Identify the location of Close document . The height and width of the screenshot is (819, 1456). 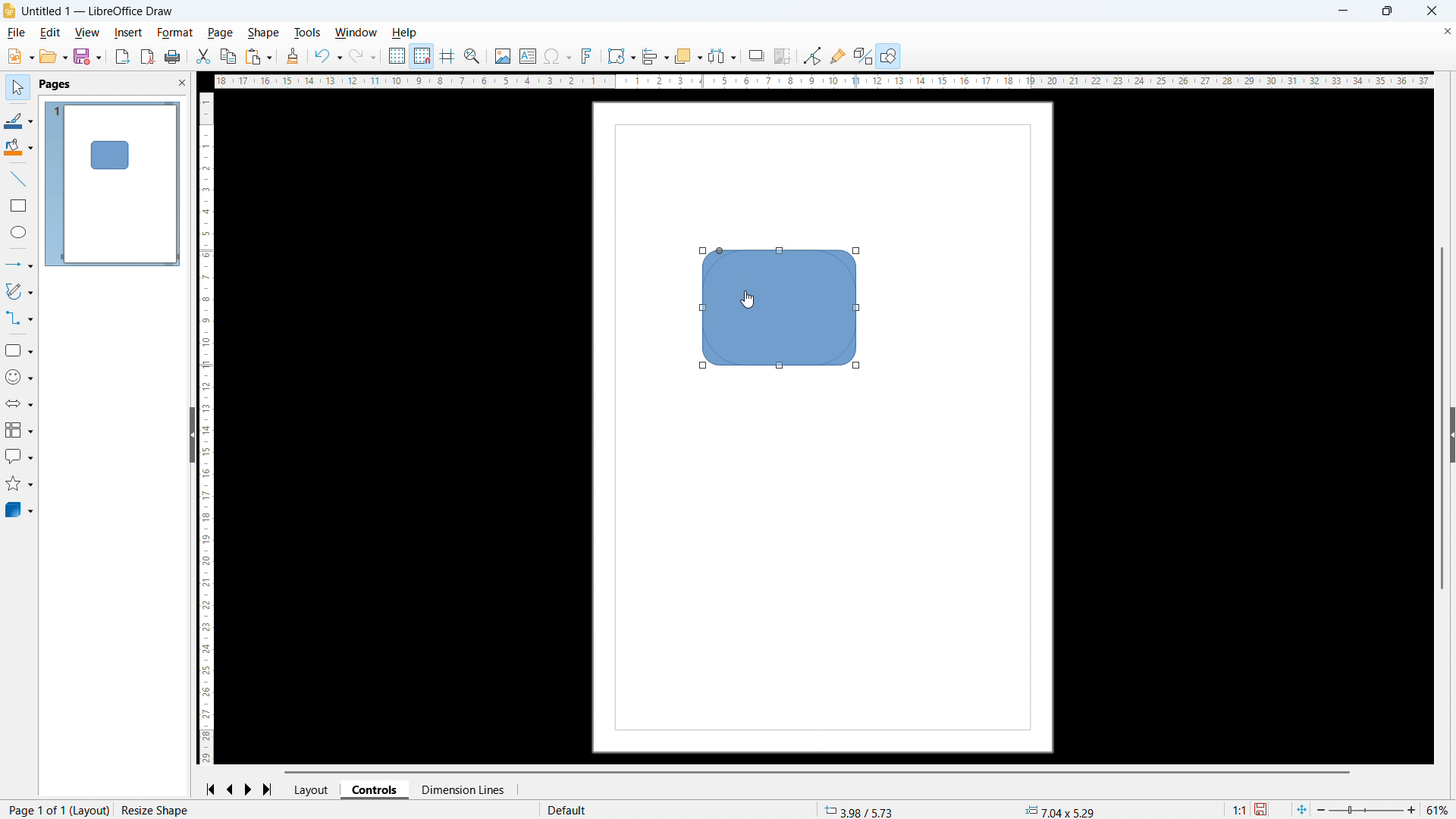
(1446, 33).